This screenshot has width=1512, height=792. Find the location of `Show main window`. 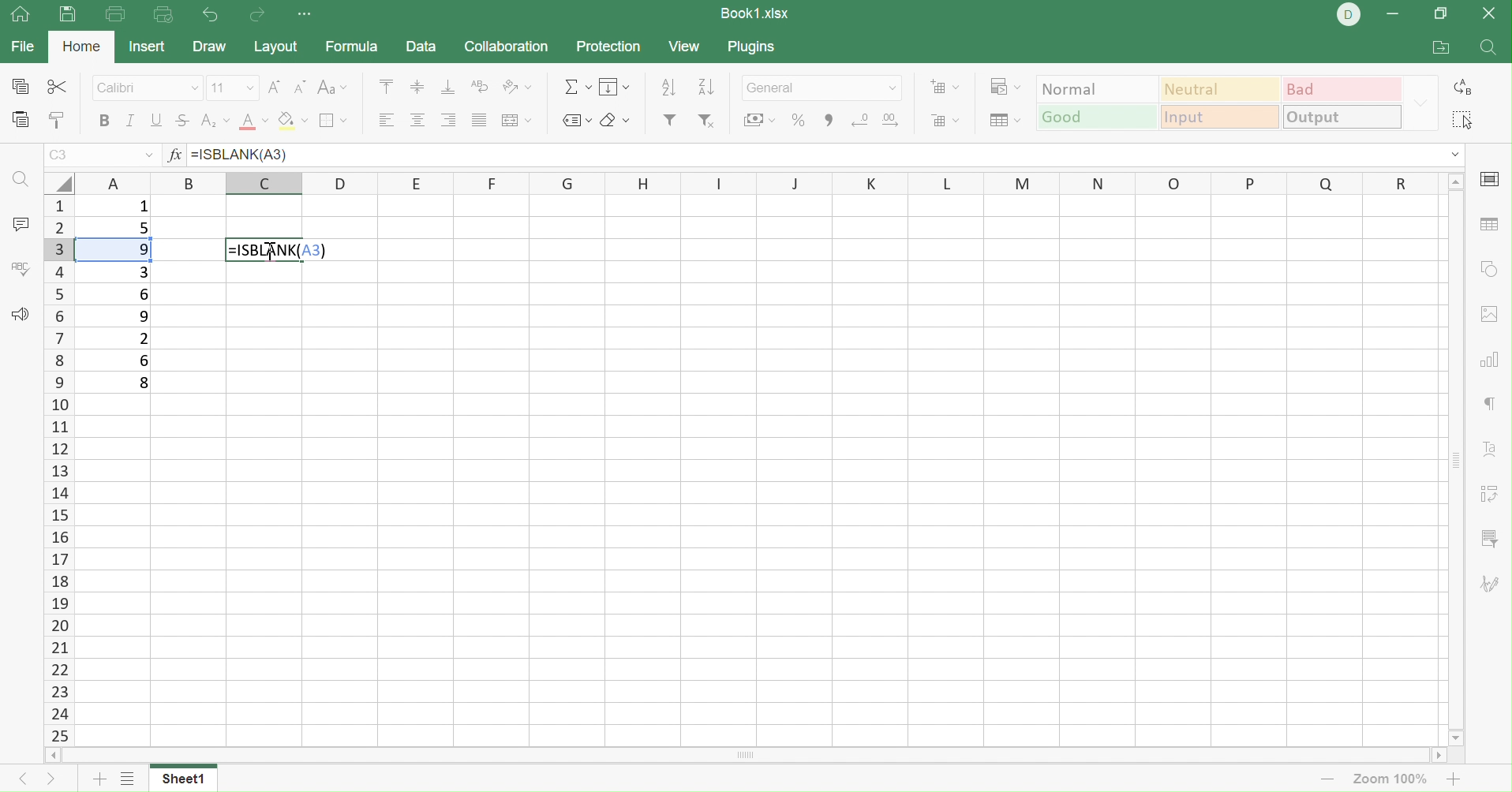

Show main window is located at coordinates (19, 15).